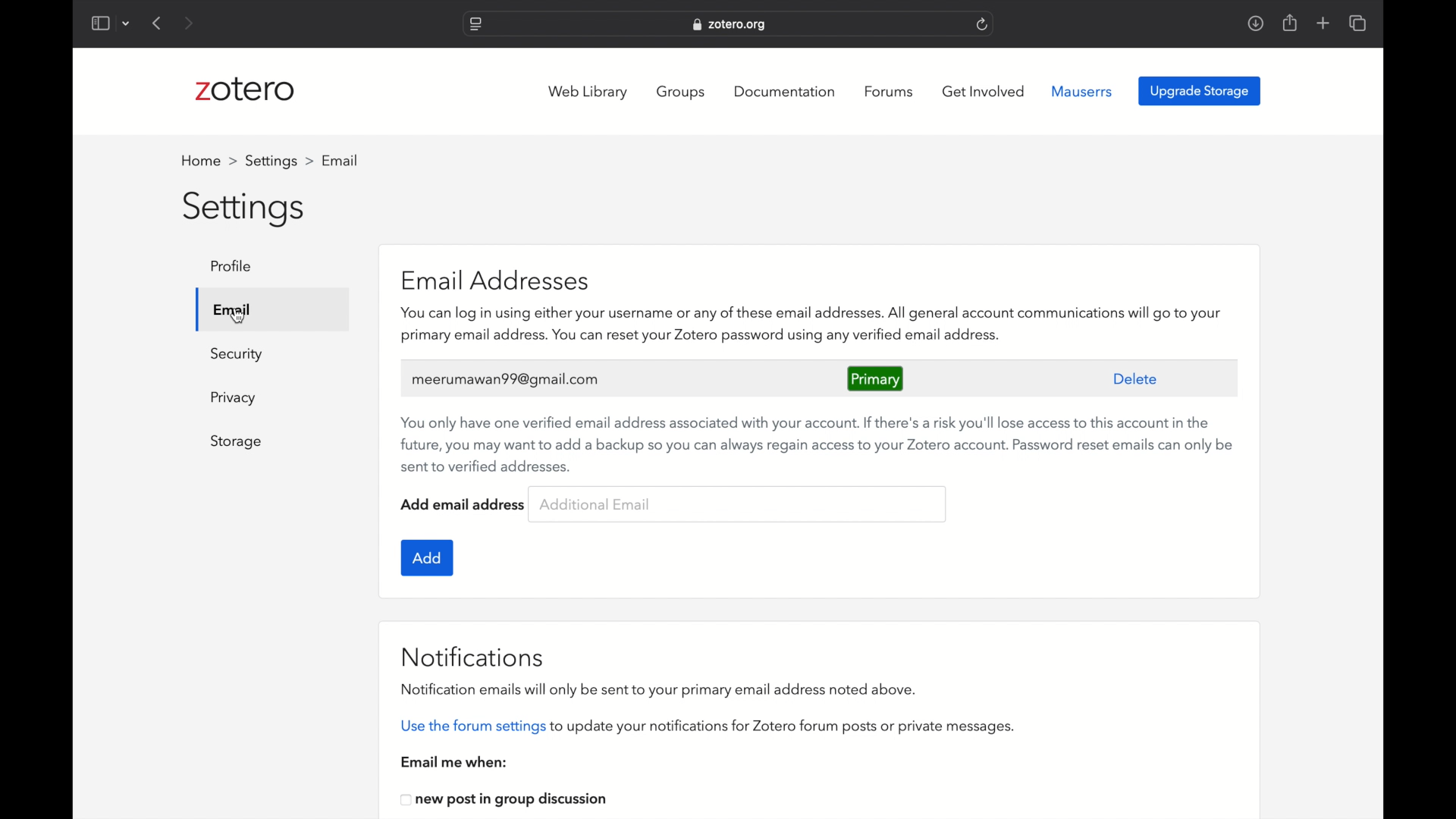 The height and width of the screenshot is (819, 1456). Describe the element at coordinates (454, 762) in the screenshot. I see `email me when:` at that location.